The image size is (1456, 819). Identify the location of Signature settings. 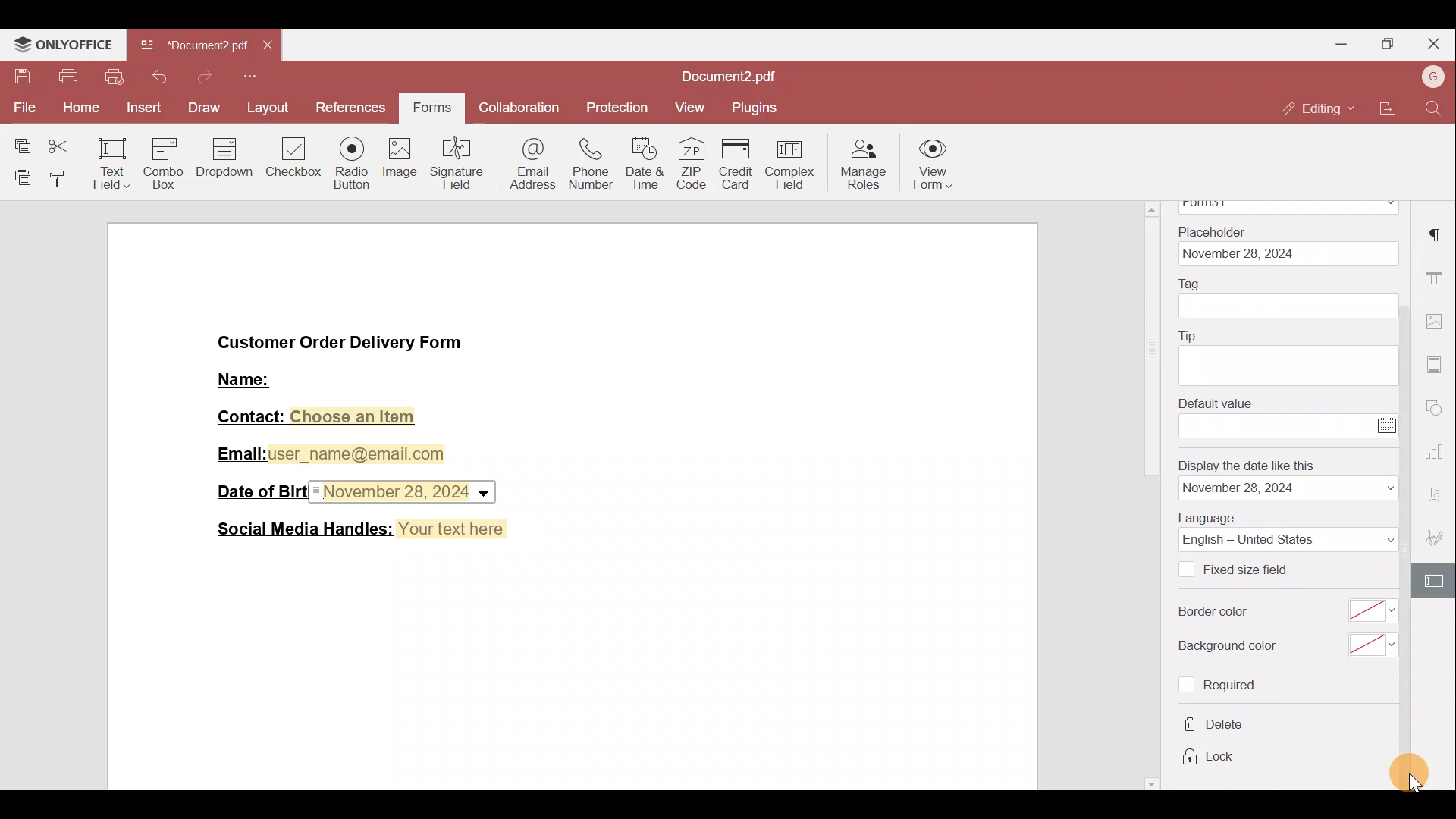
(1438, 538).